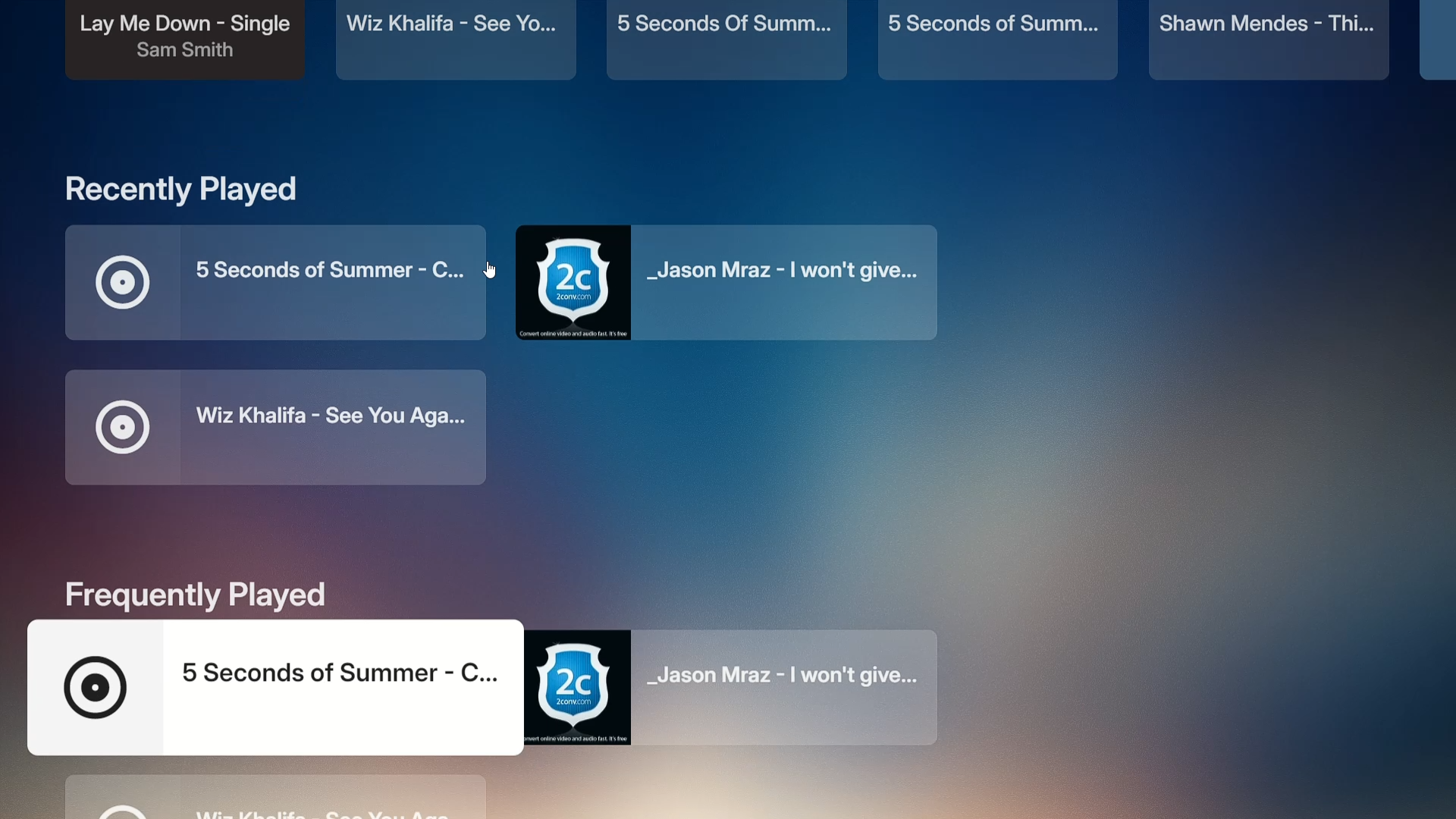  What do you see at coordinates (287, 283) in the screenshot?
I see `5 Seconds of Summer` at bounding box center [287, 283].